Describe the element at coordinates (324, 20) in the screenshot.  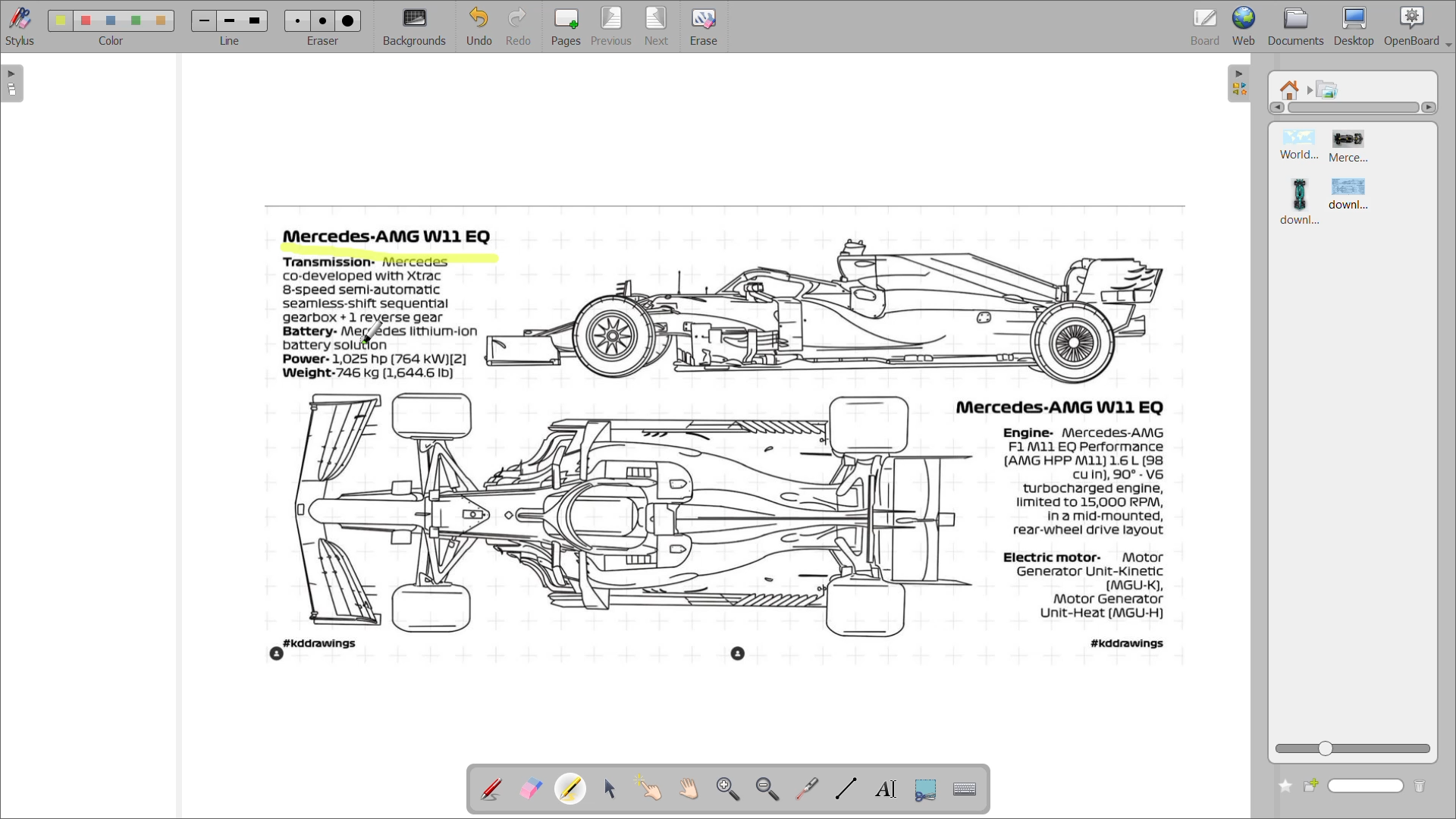
I see `eraser 2` at that location.